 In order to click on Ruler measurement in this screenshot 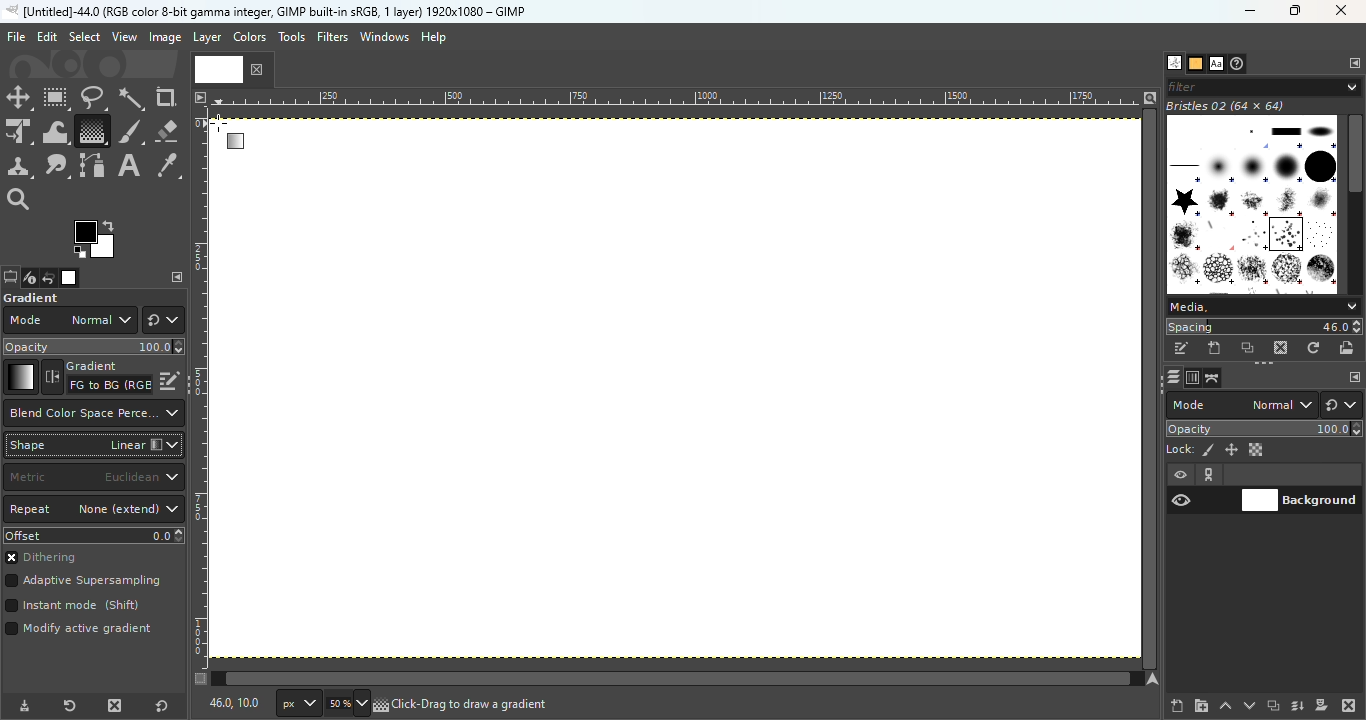, I will do `click(295, 704)`.